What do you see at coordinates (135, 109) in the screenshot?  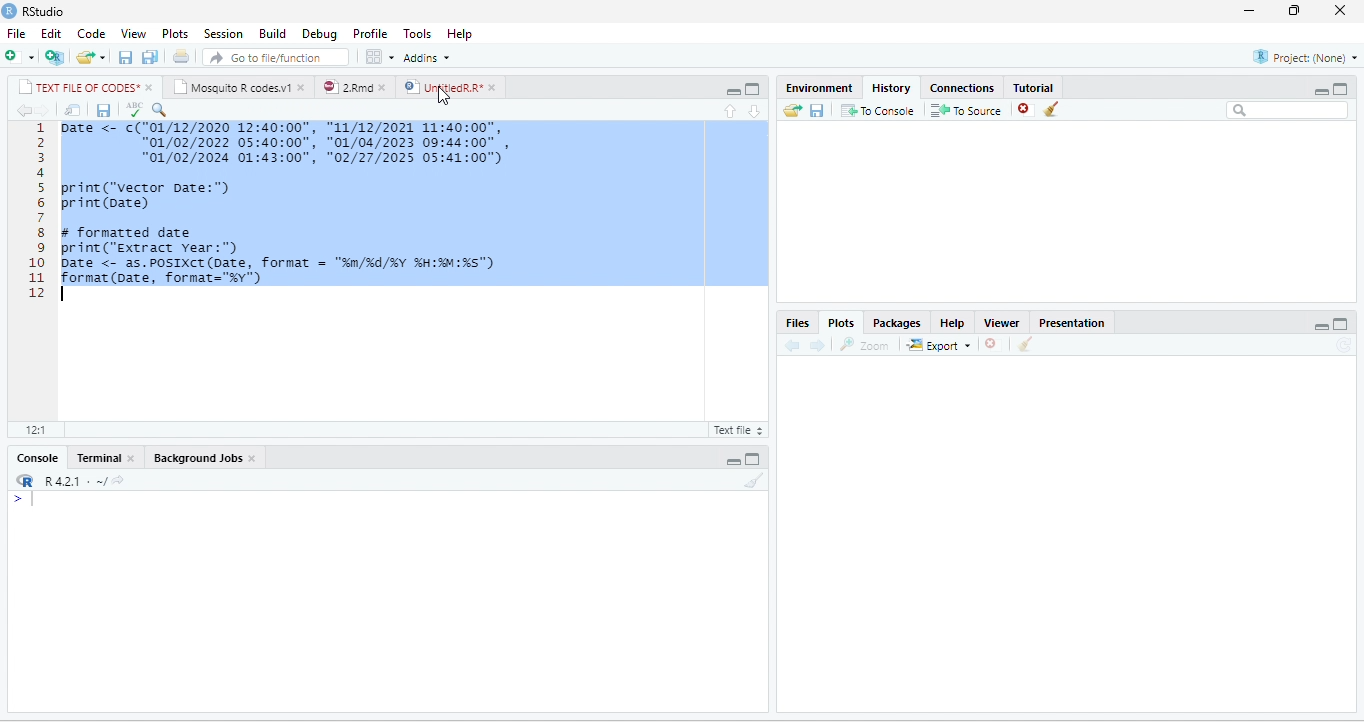 I see `ABC` at bounding box center [135, 109].